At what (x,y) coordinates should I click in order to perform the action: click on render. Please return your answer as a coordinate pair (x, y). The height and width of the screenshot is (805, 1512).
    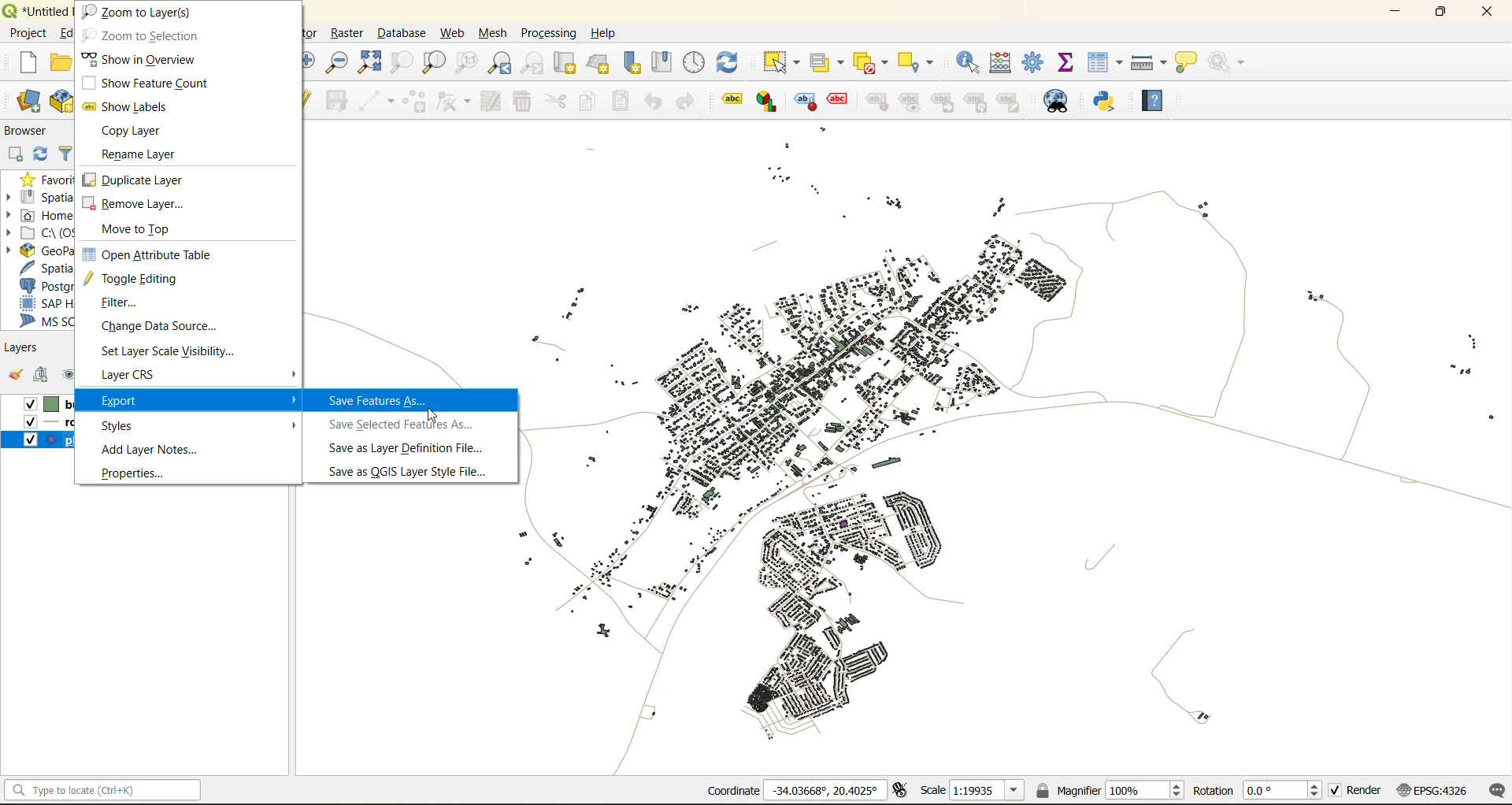
    Looking at the image, I should click on (1357, 790).